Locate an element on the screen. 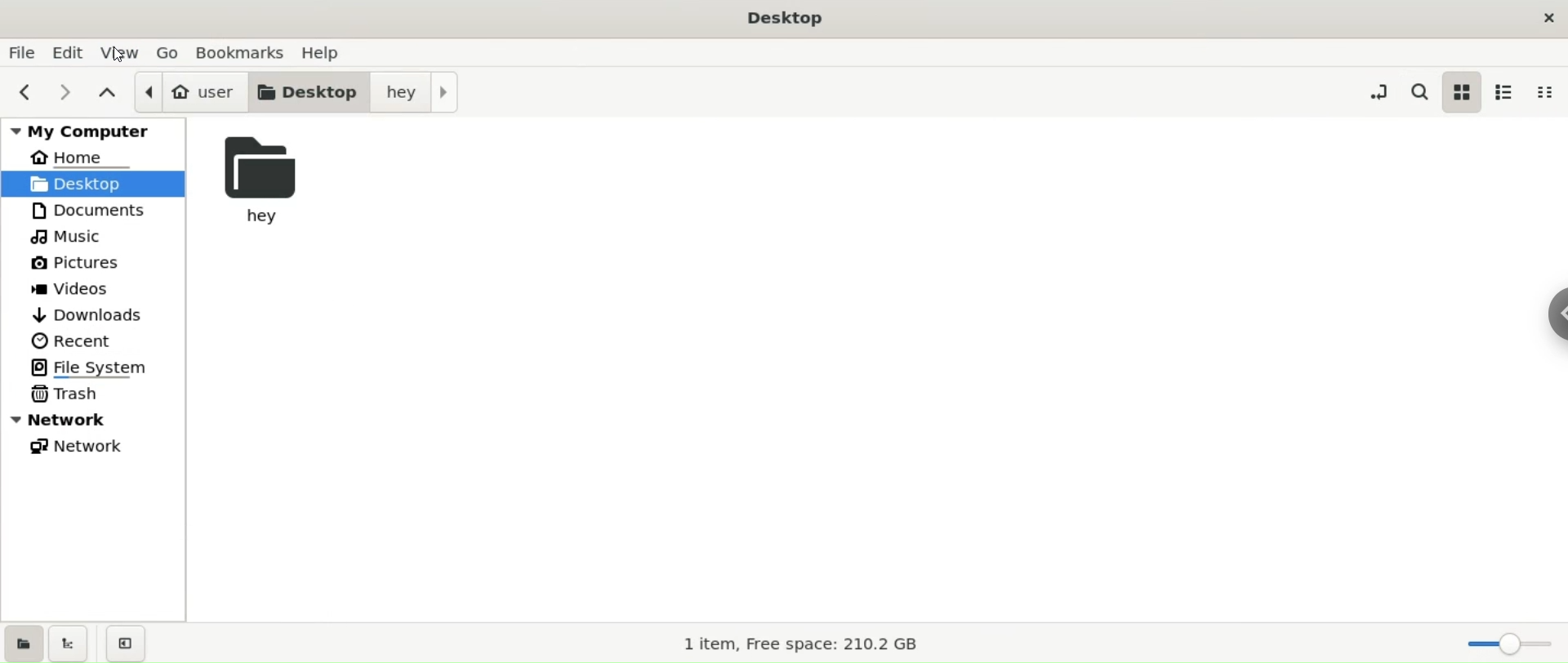 Image resolution: width=1568 pixels, height=663 pixels. hey is located at coordinates (417, 92).